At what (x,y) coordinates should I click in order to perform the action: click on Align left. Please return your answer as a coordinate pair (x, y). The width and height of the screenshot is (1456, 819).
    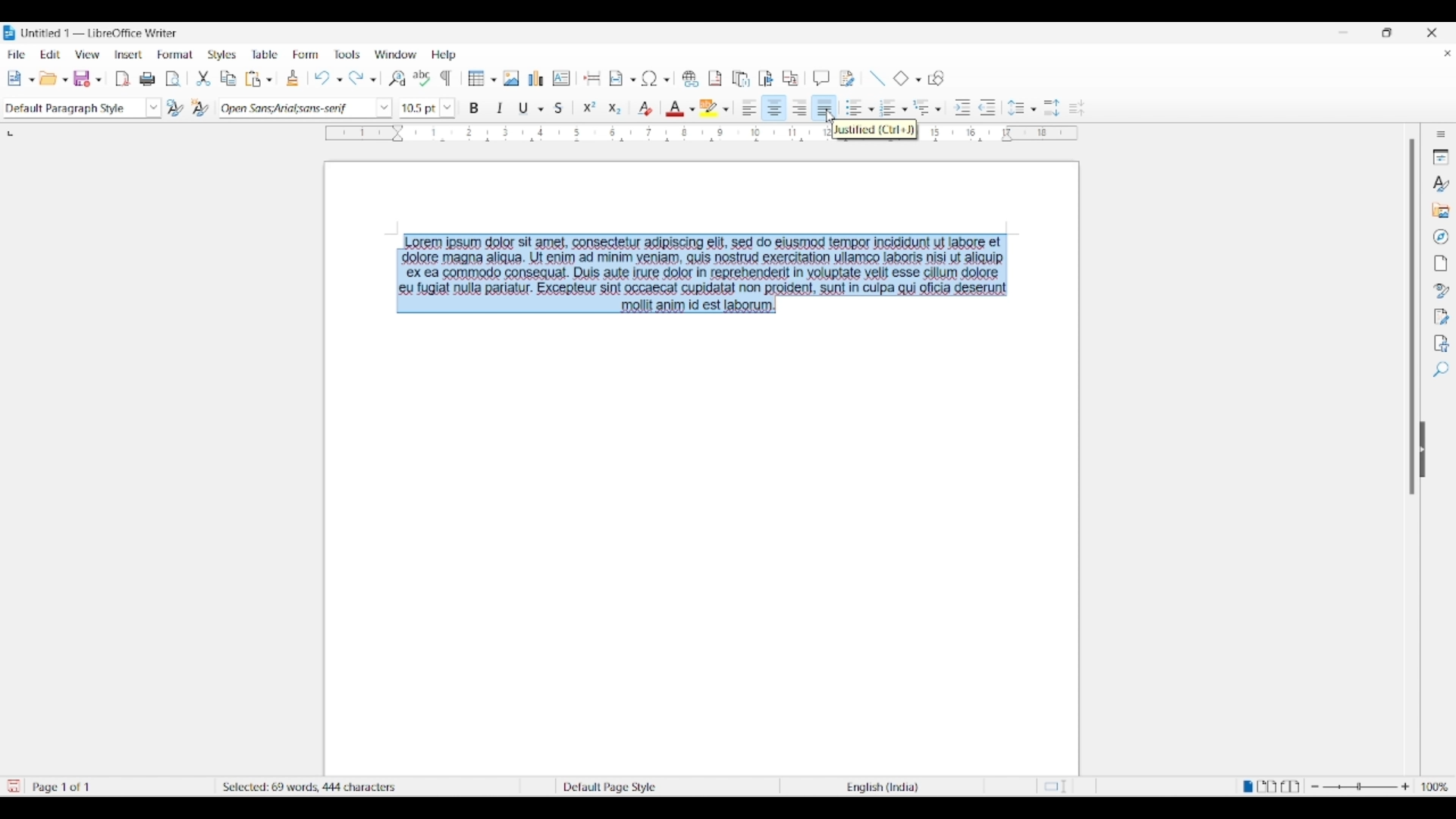
    Looking at the image, I should click on (750, 107).